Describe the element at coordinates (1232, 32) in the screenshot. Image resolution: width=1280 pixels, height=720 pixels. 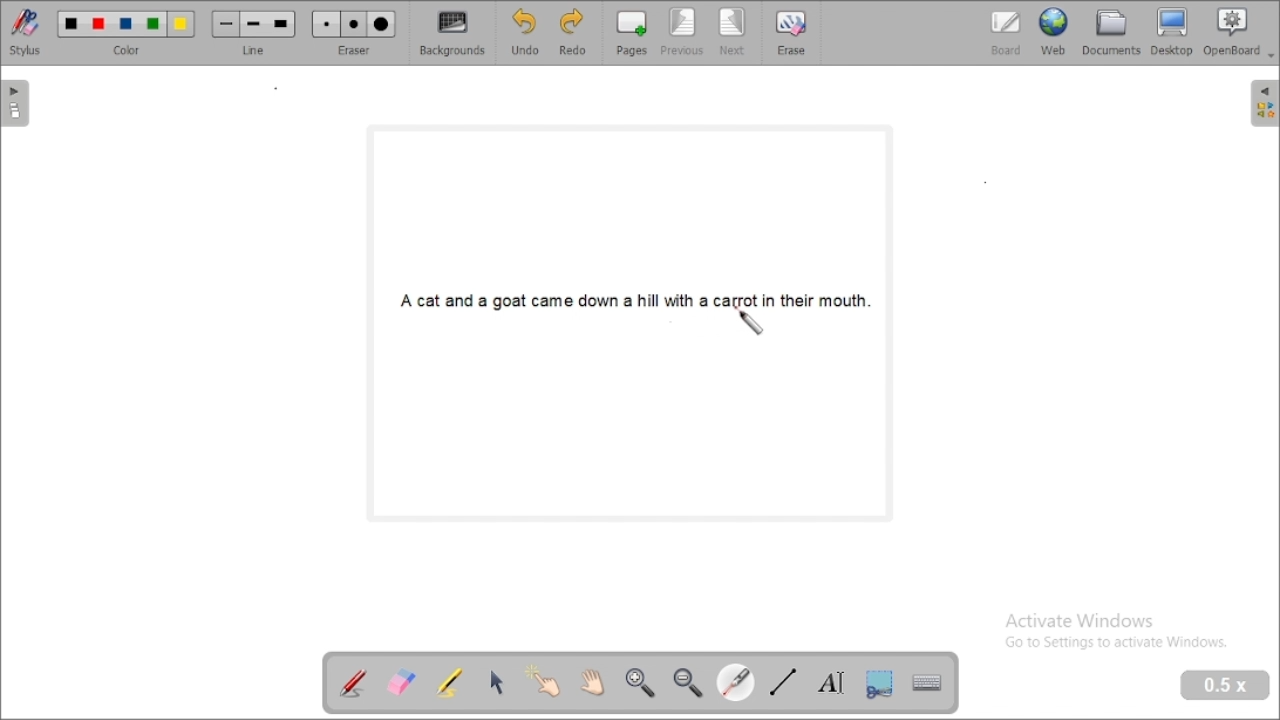
I see `openboard` at that location.